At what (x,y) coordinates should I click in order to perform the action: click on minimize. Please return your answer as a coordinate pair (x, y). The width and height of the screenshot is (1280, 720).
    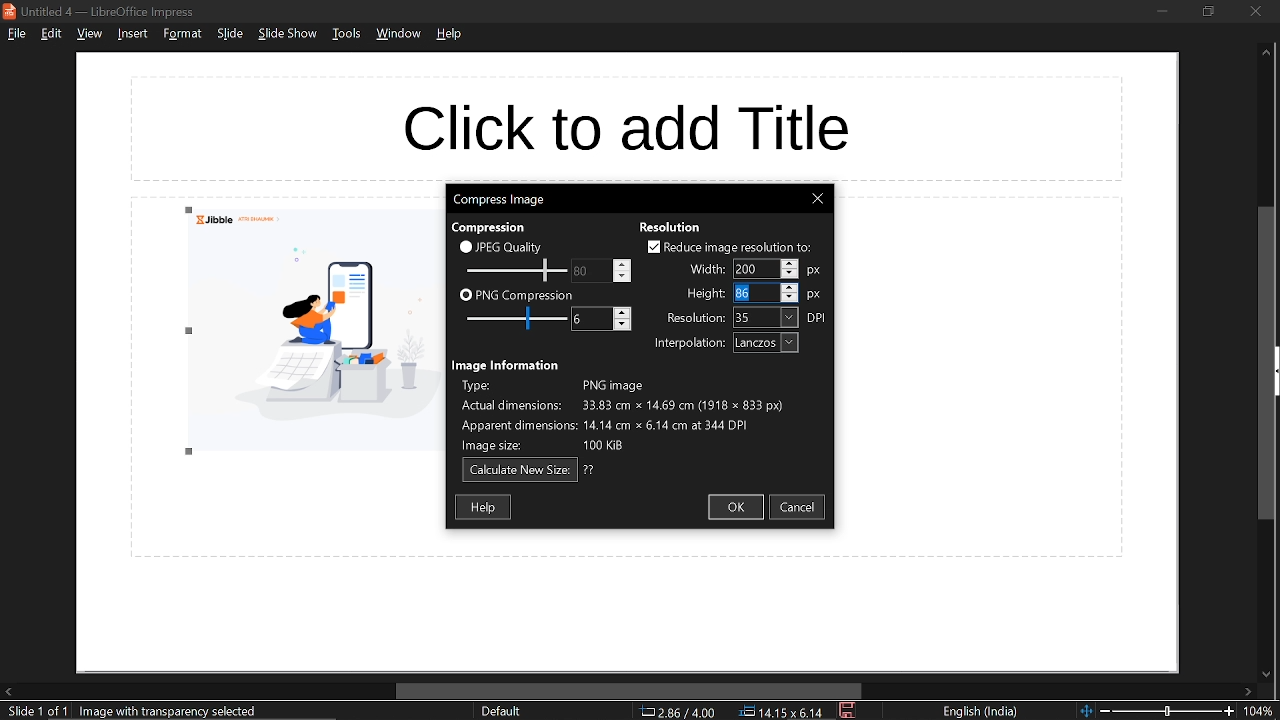
    Looking at the image, I should click on (1162, 10).